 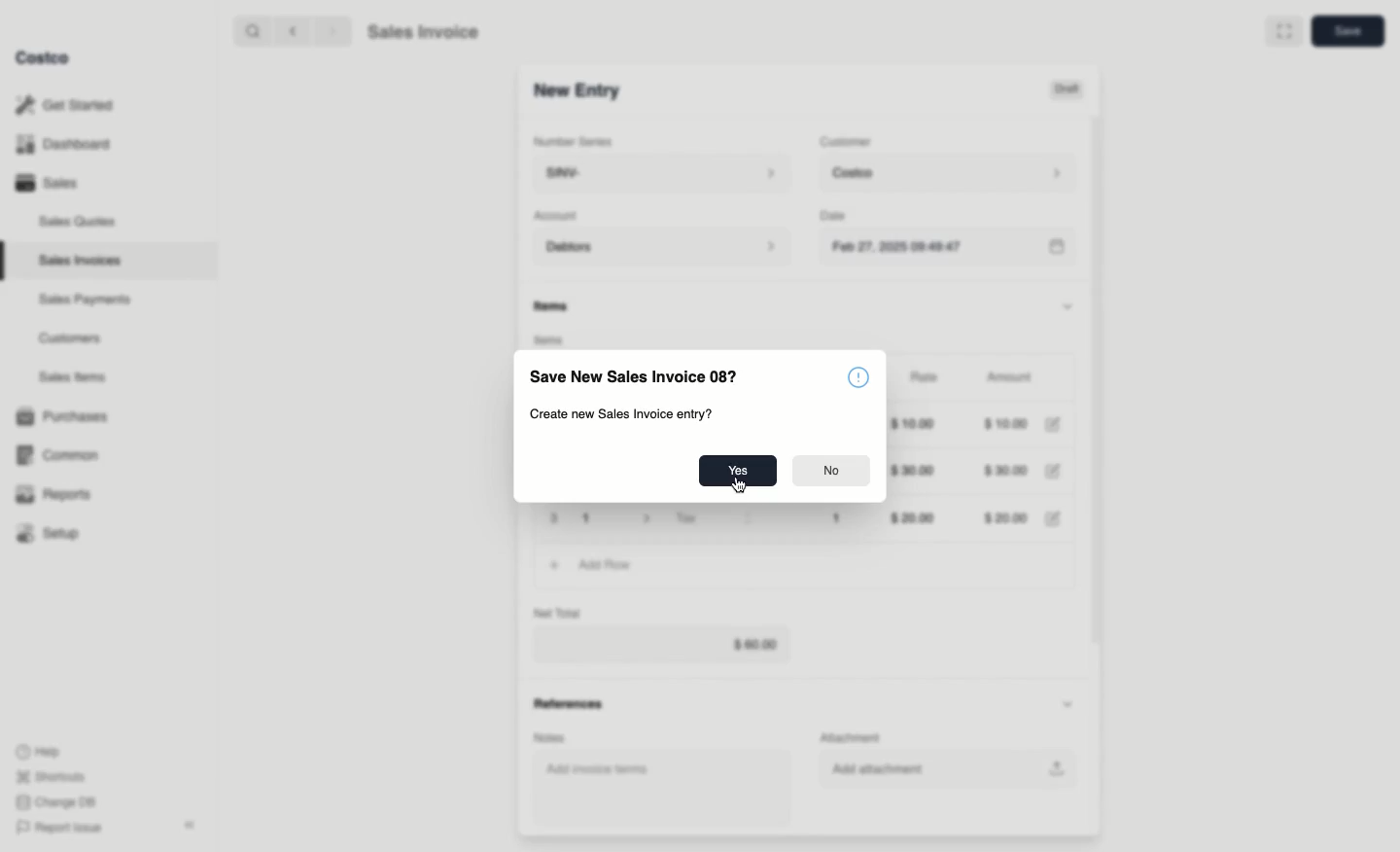 What do you see at coordinates (289, 30) in the screenshot?
I see `backward` at bounding box center [289, 30].